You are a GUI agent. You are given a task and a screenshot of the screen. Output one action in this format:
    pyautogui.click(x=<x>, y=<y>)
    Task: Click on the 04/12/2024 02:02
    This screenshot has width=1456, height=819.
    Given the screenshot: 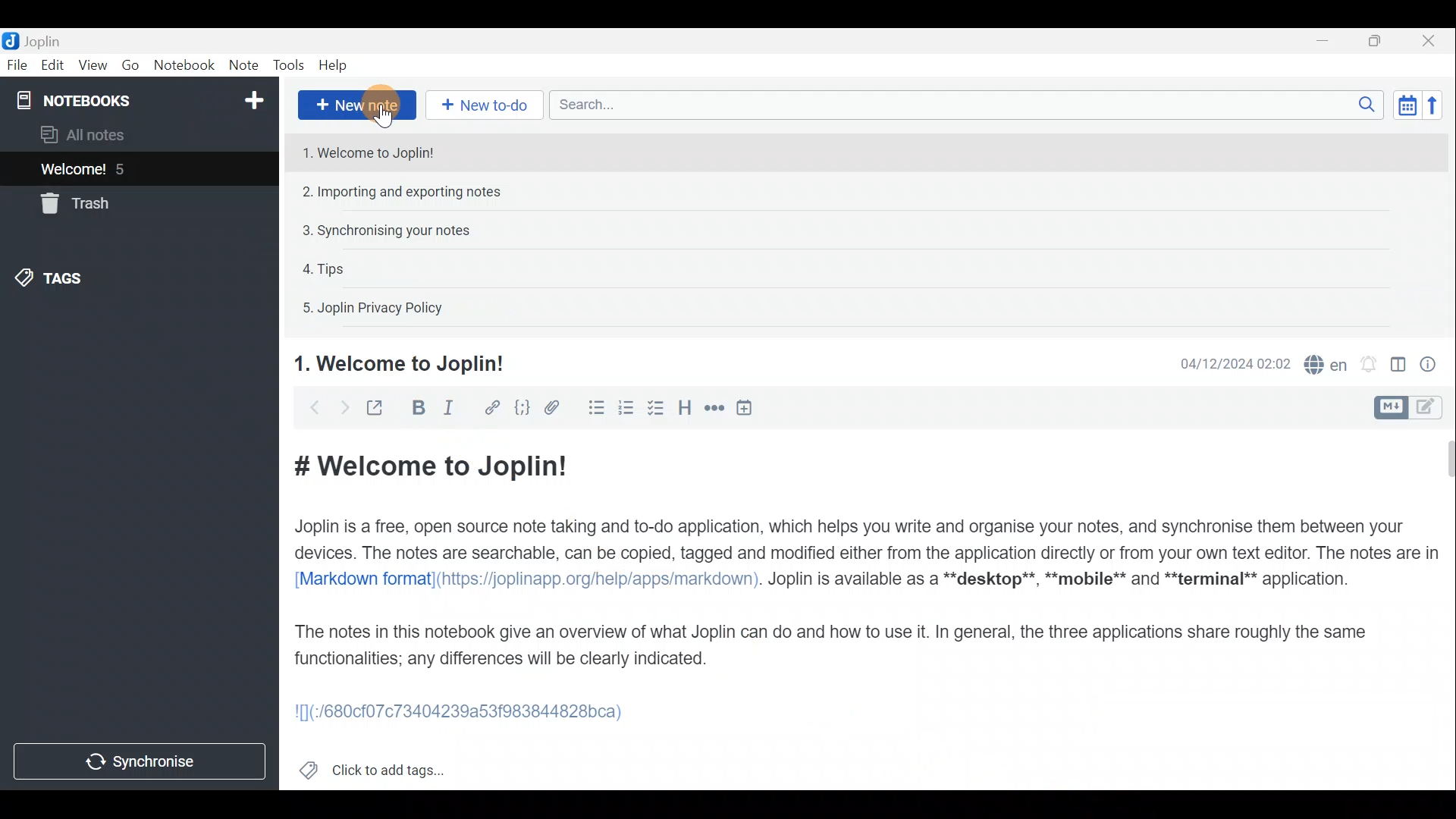 What is the action you would take?
    pyautogui.click(x=1228, y=362)
    